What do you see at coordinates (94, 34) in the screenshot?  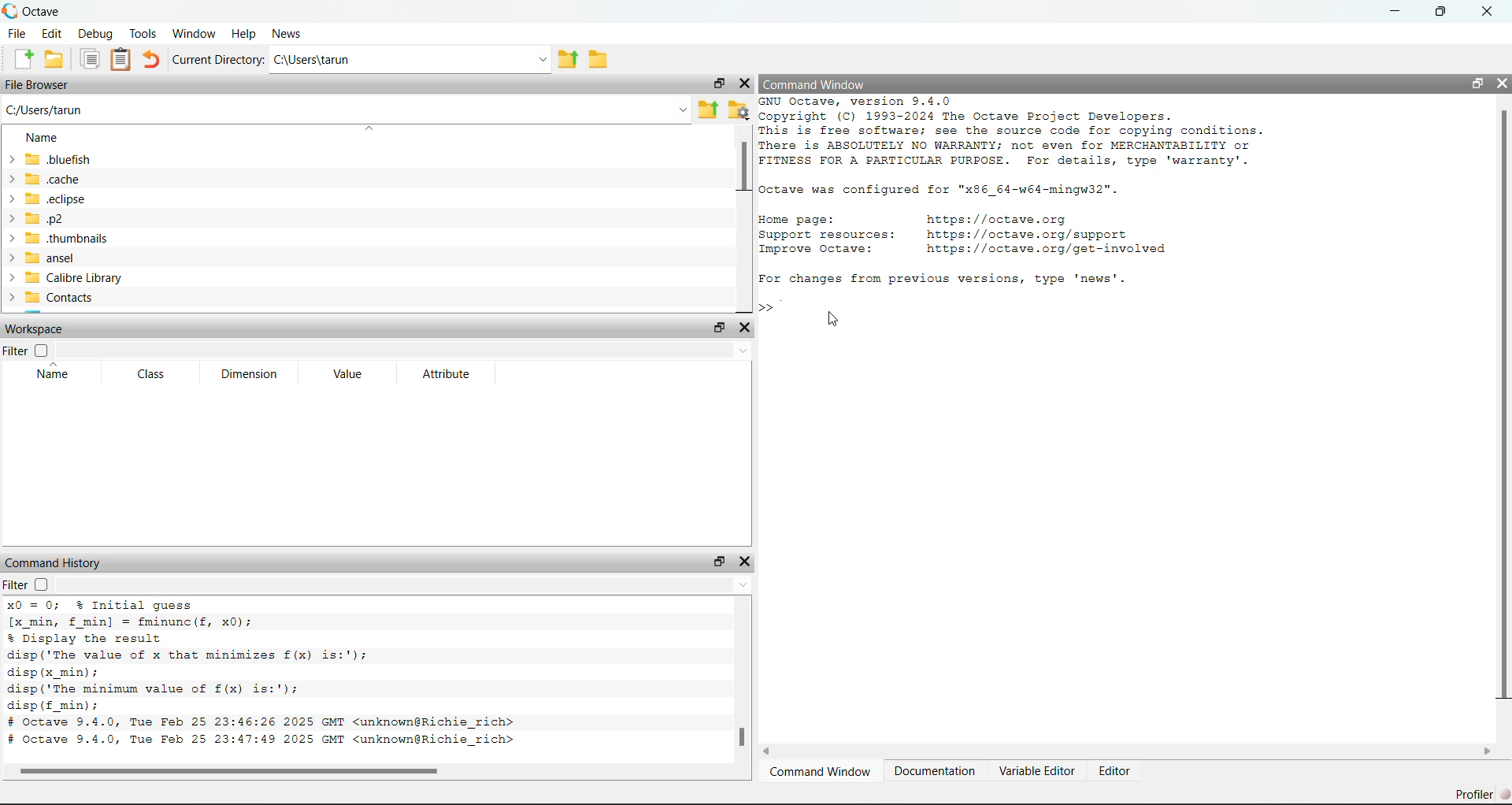 I see `Debug` at bounding box center [94, 34].